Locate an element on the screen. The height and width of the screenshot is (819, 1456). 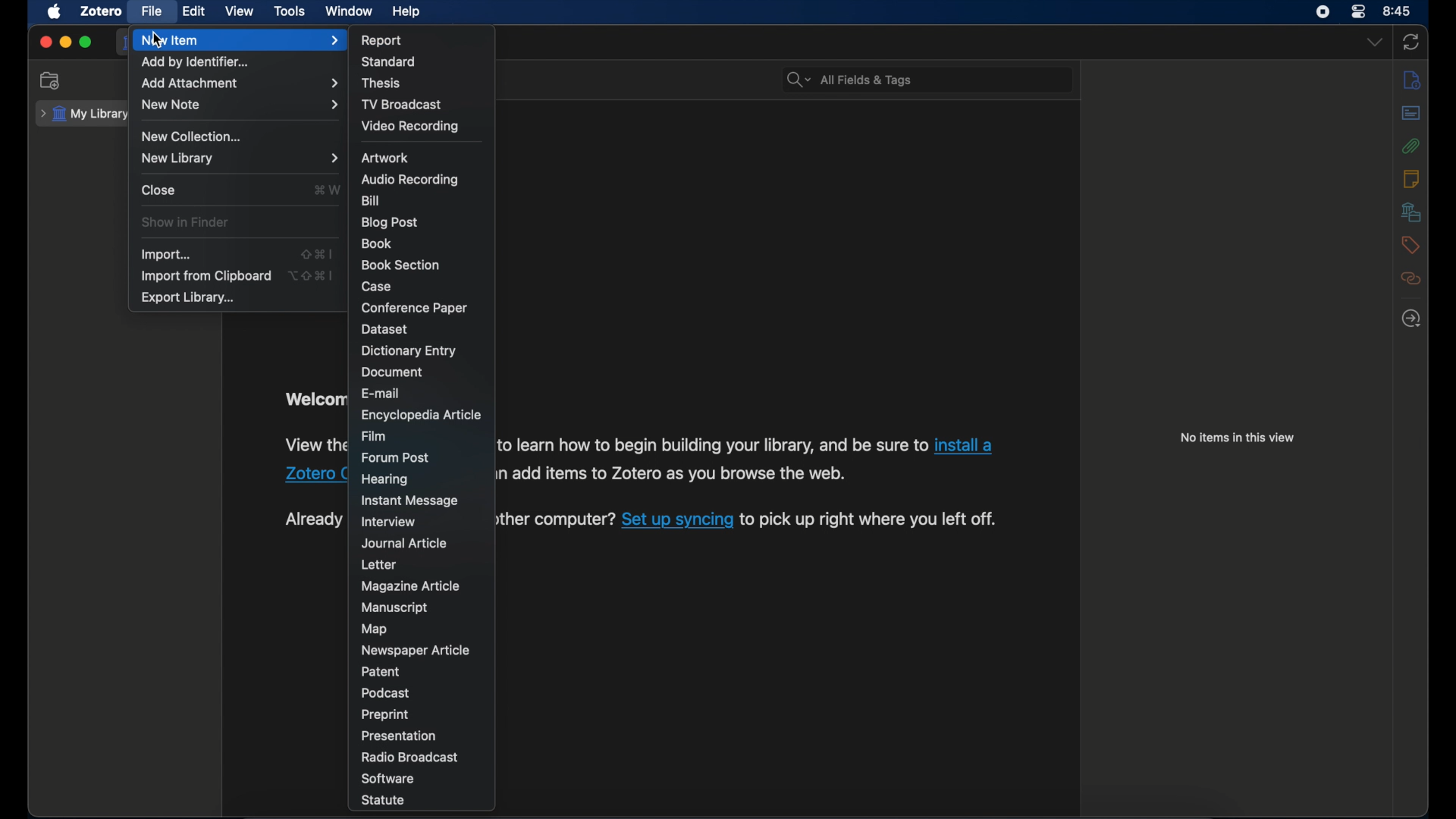
new note is located at coordinates (241, 105).